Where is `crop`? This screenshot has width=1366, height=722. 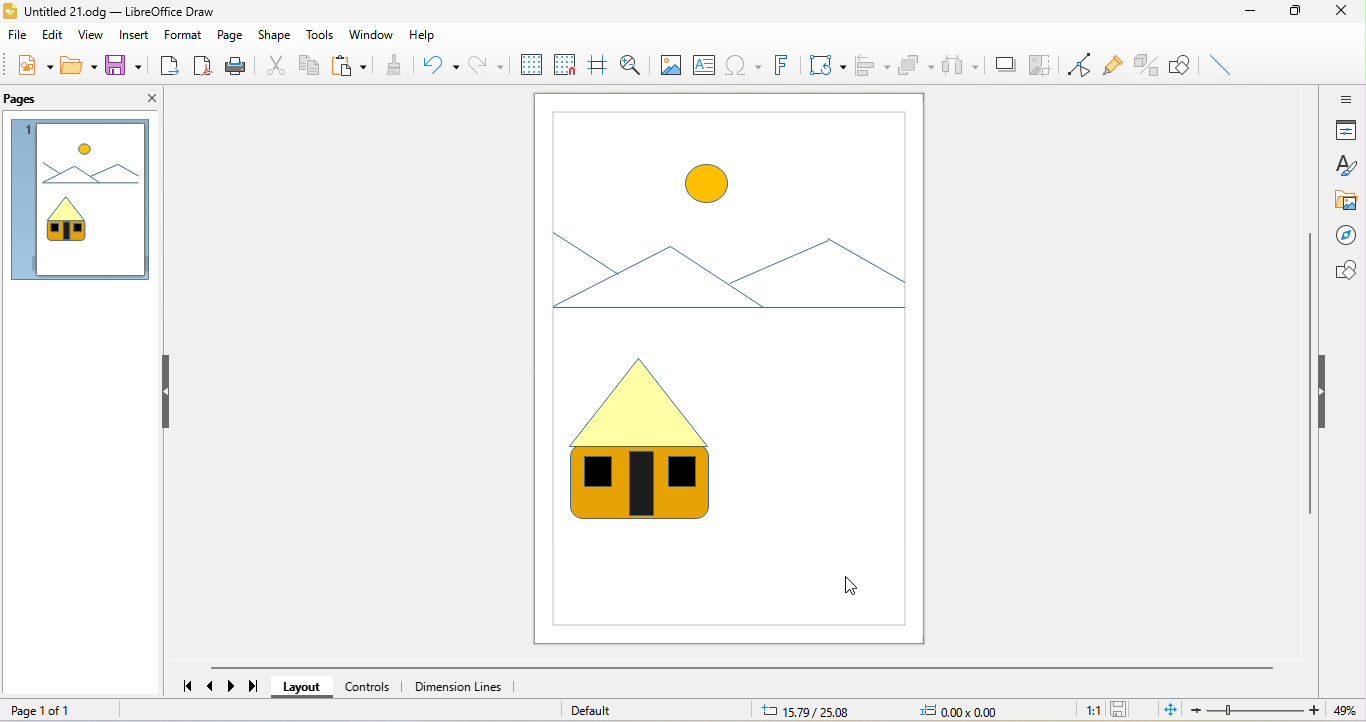
crop is located at coordinates (1041, 66).